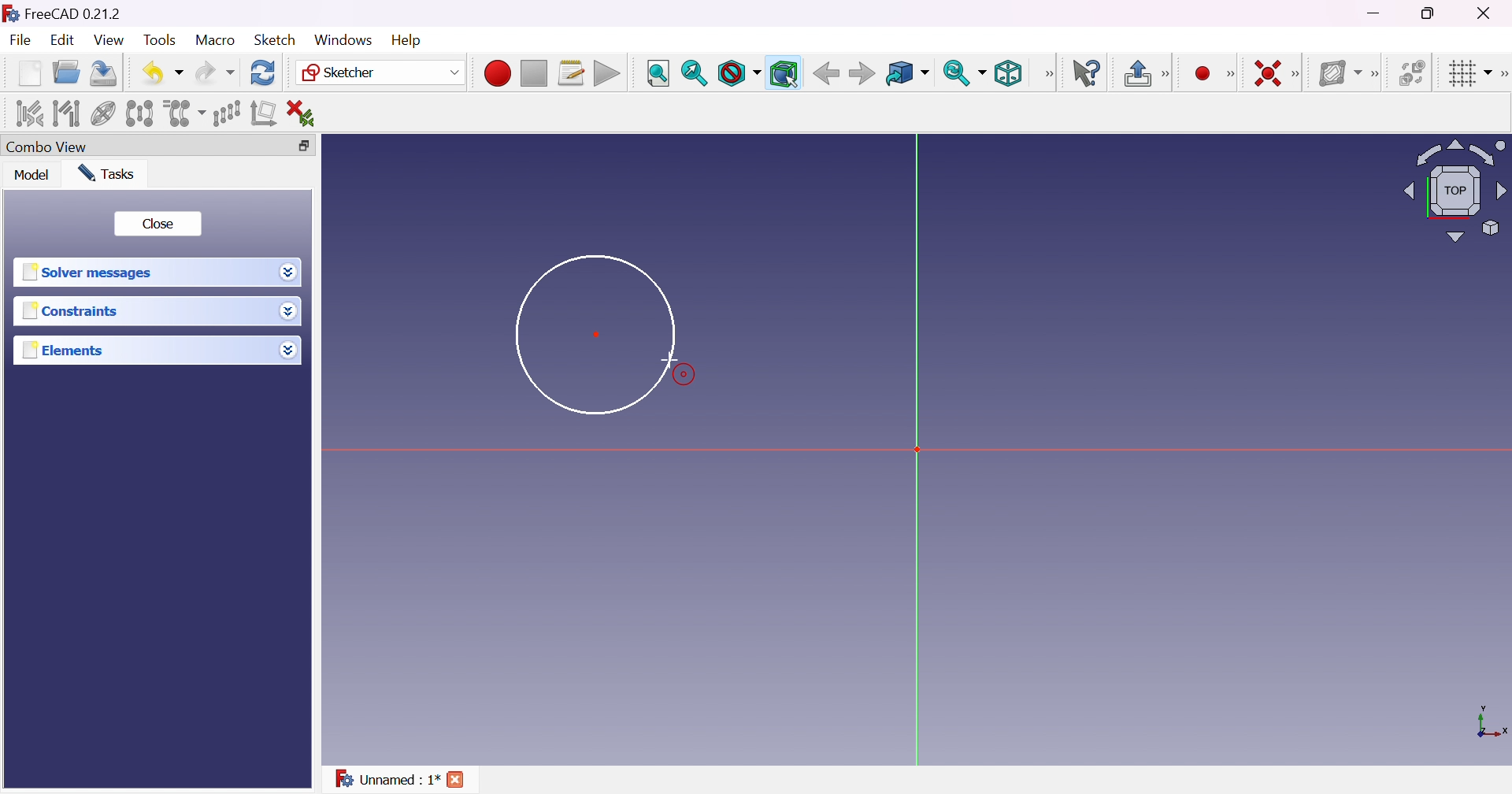 The width and height of the screenshot is (1512, 794). Describe the element at coordinates (404, 40) in the screenshot. I see `Help` at that location.